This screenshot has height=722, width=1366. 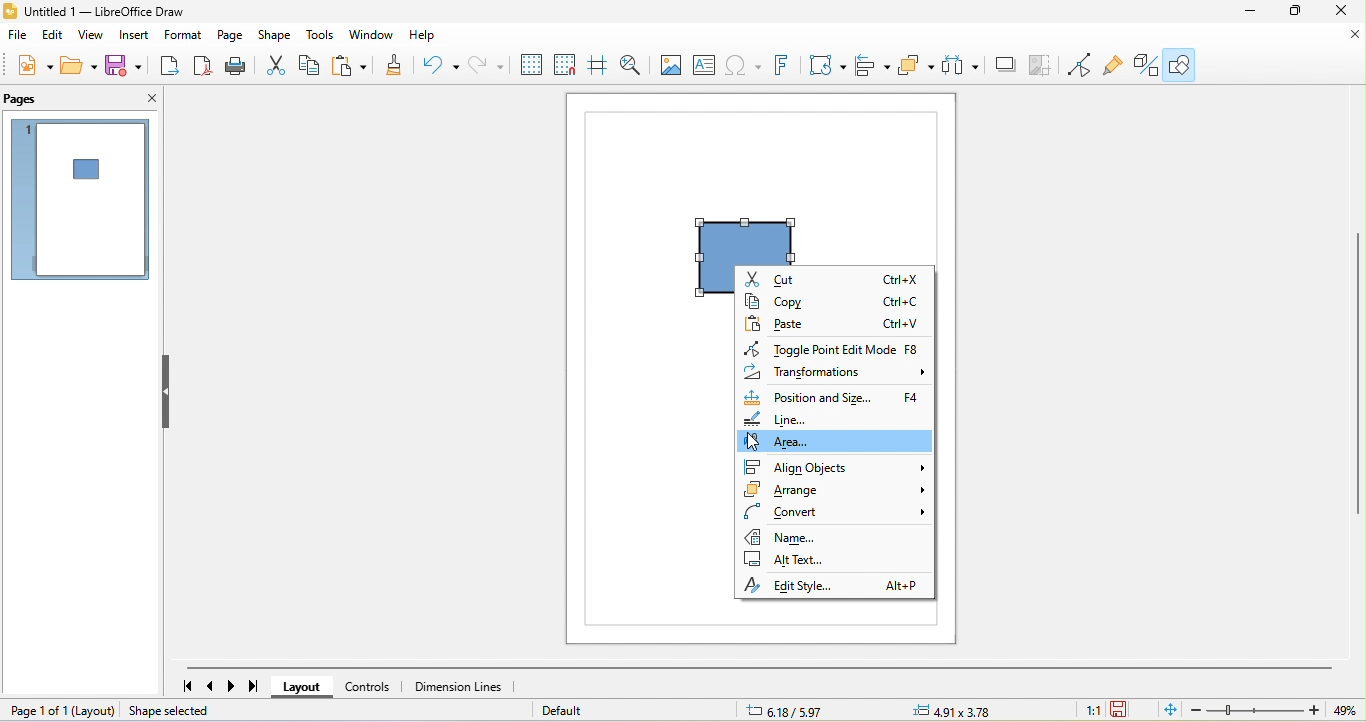 What do you see at coordinates (824, 65) in the screenshot?
I see `transformation` at bounding box center [824, 65].